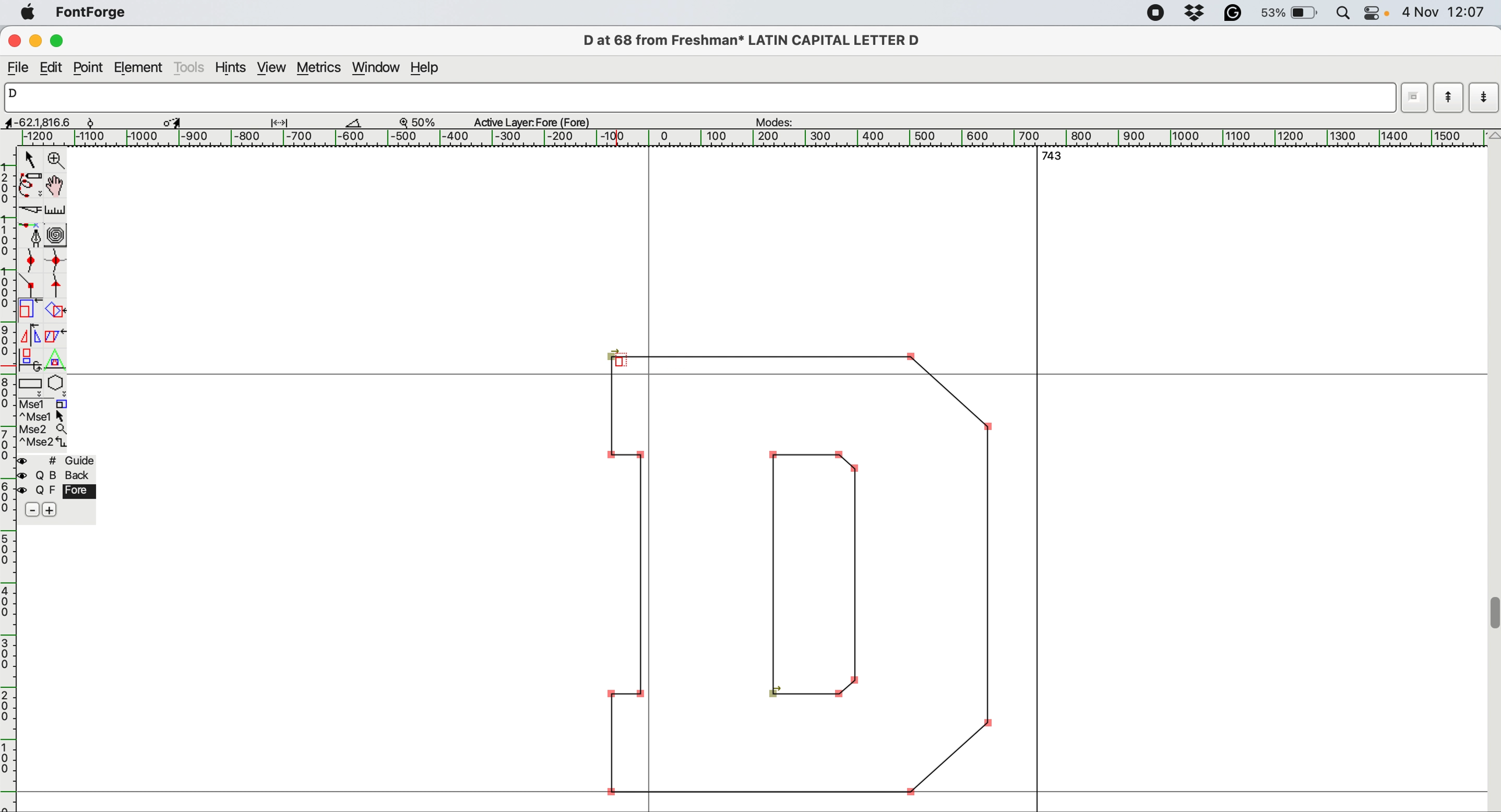  What do you see at coordinates (378, 69) in the screenshot?
I see `window` at bounding box center [378, 69].